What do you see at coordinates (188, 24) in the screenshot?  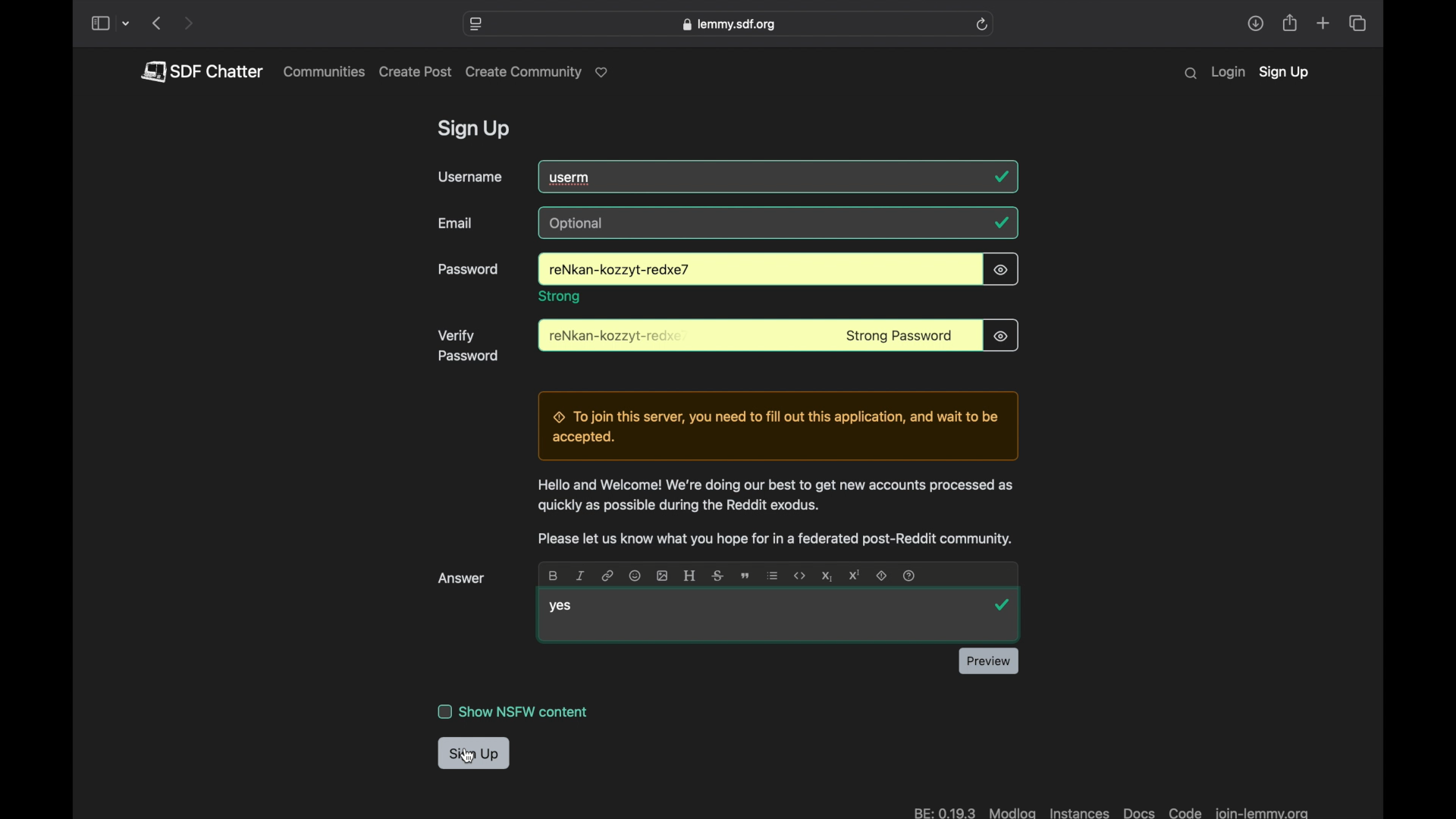 I see `next page` at bounding box center [188, 24].